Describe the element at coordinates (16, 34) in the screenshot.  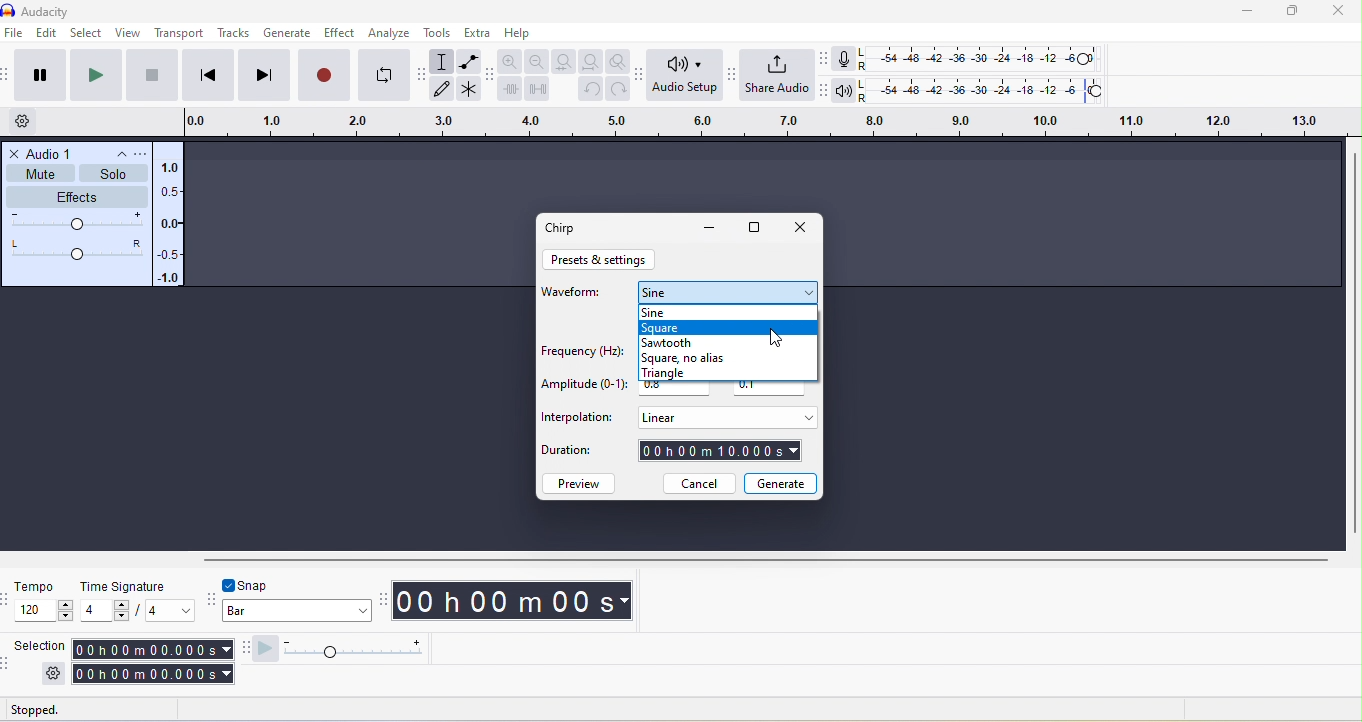
I see `file` at that location.